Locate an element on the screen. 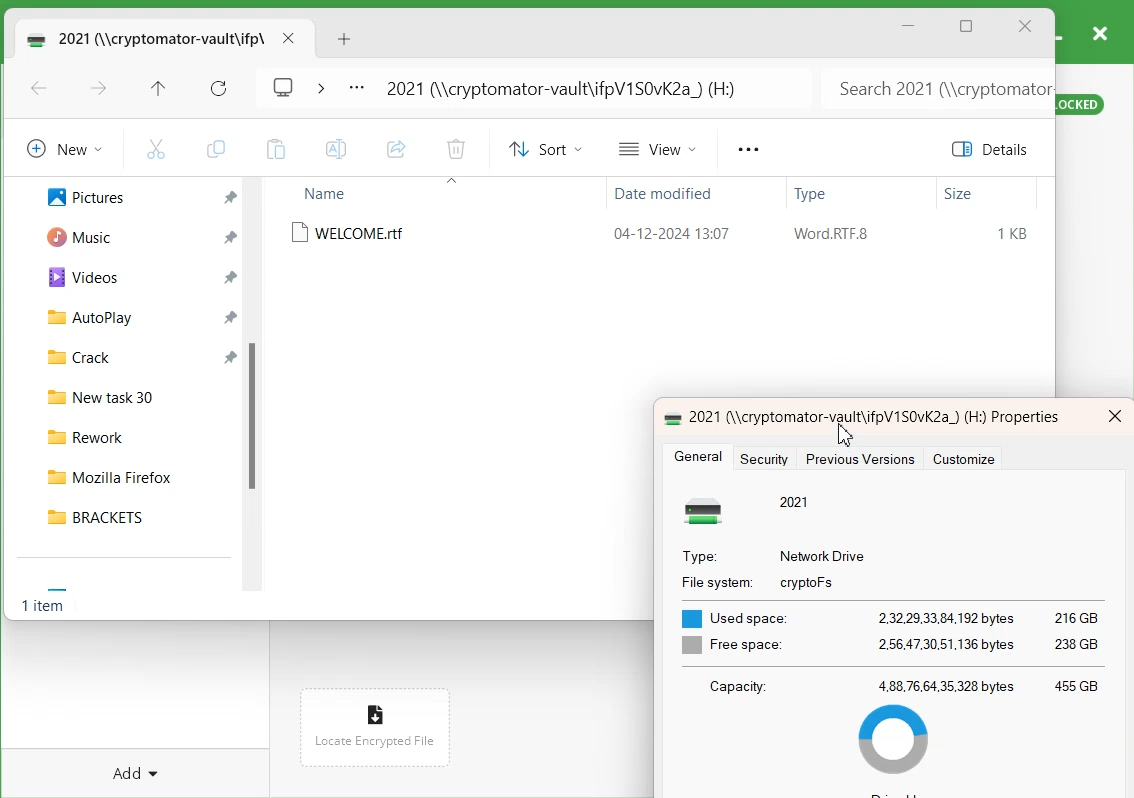 The width and height of the screenshot is (1134, 798). Locate encrypted file is located at coordinates (375, 740).